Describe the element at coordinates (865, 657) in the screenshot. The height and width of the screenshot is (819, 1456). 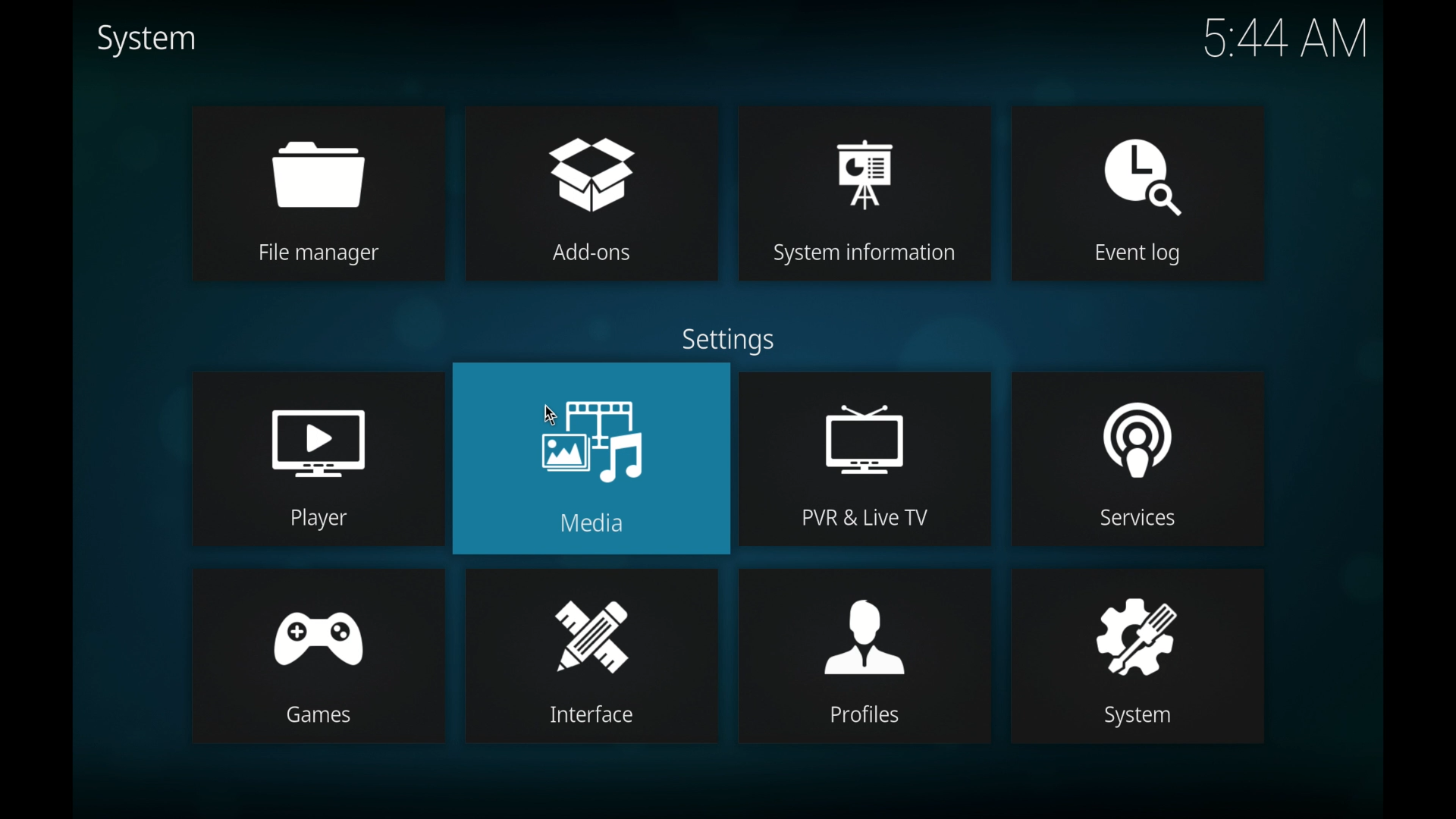
I see `profiles` at that location.